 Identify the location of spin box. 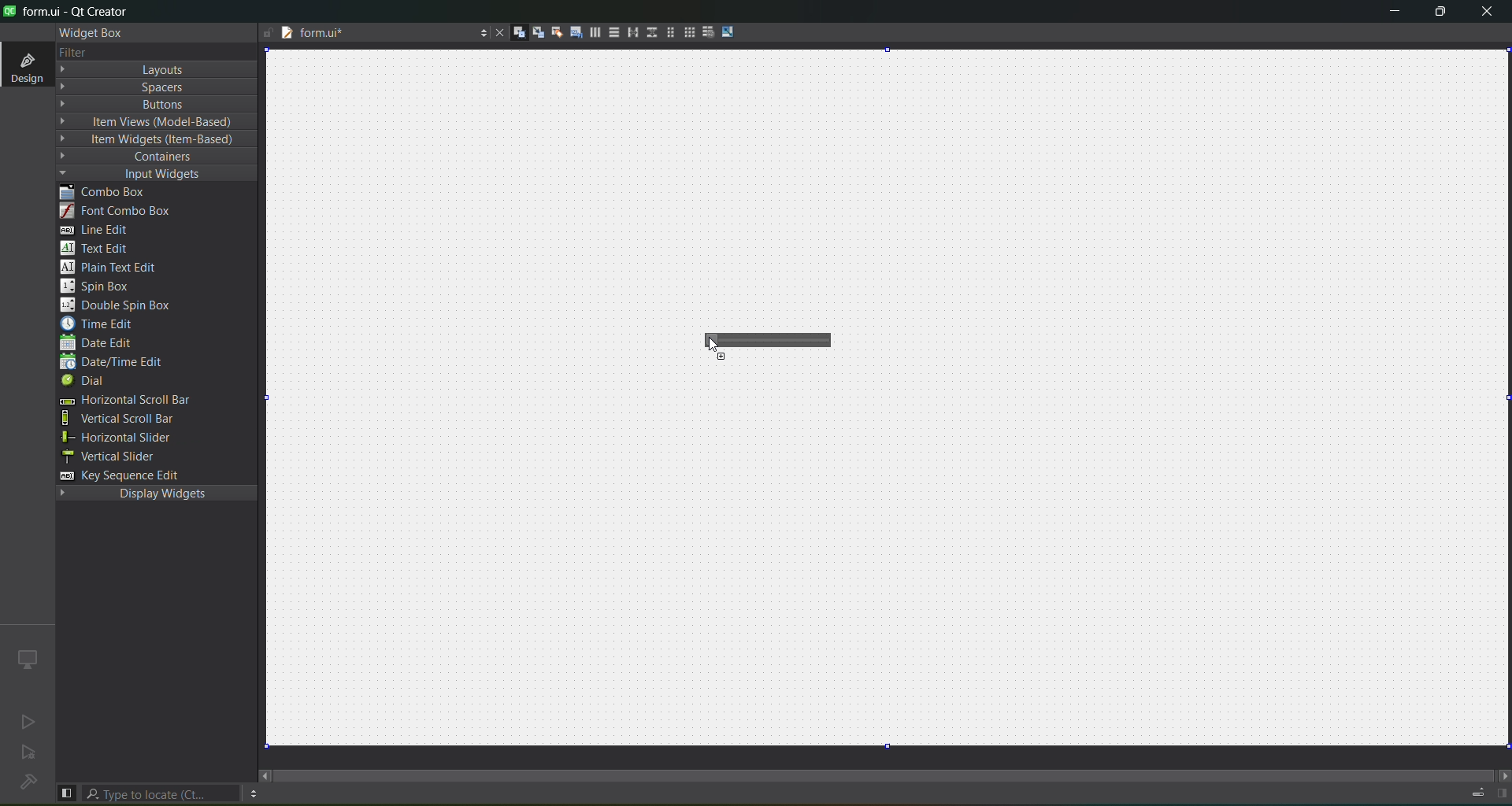
(99, 287).